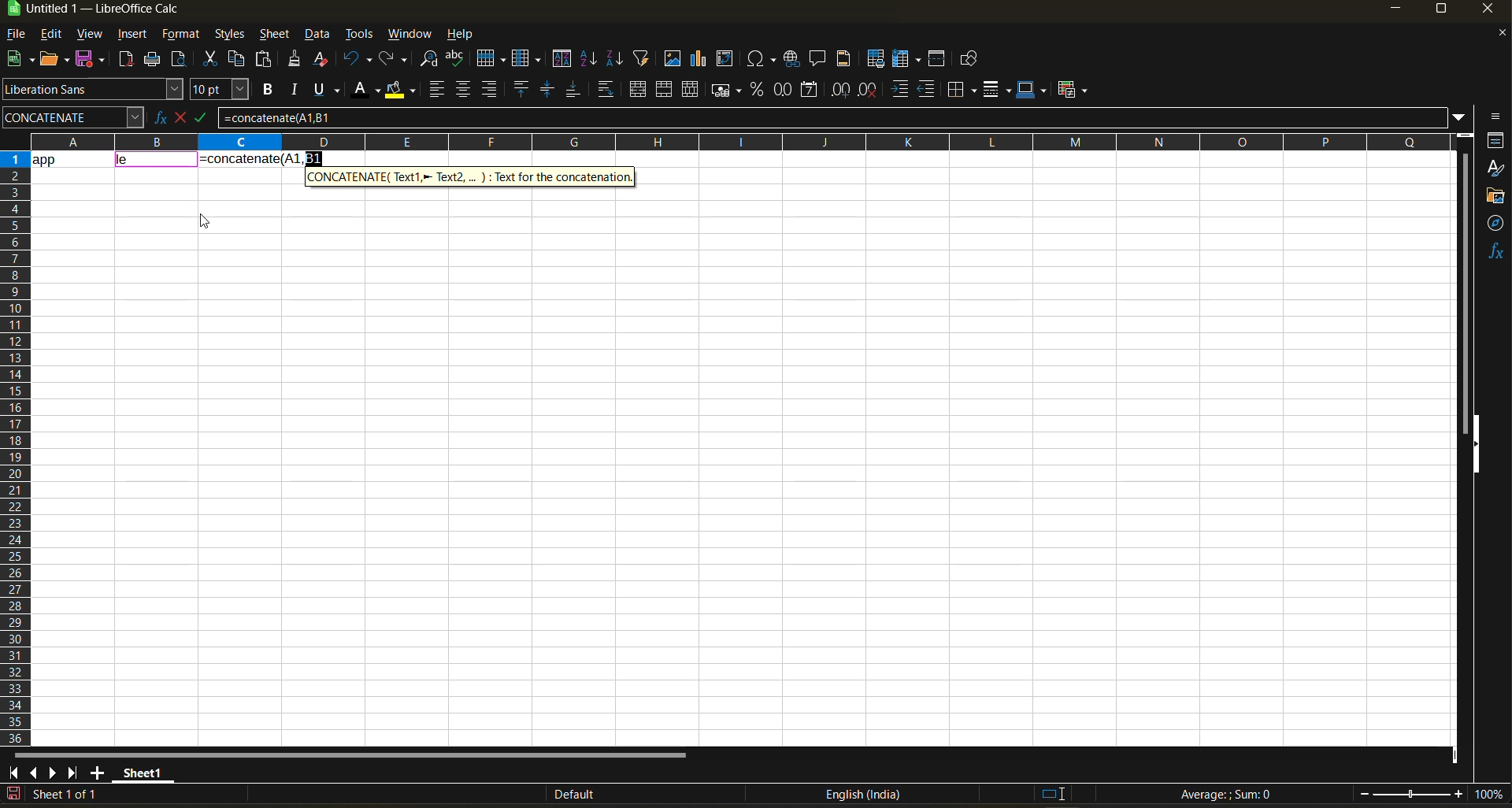 This screenshot has width=1512, height=808. Describe the element at coordinates (813, 91) in the screenshot. I see `format as date` at that location.